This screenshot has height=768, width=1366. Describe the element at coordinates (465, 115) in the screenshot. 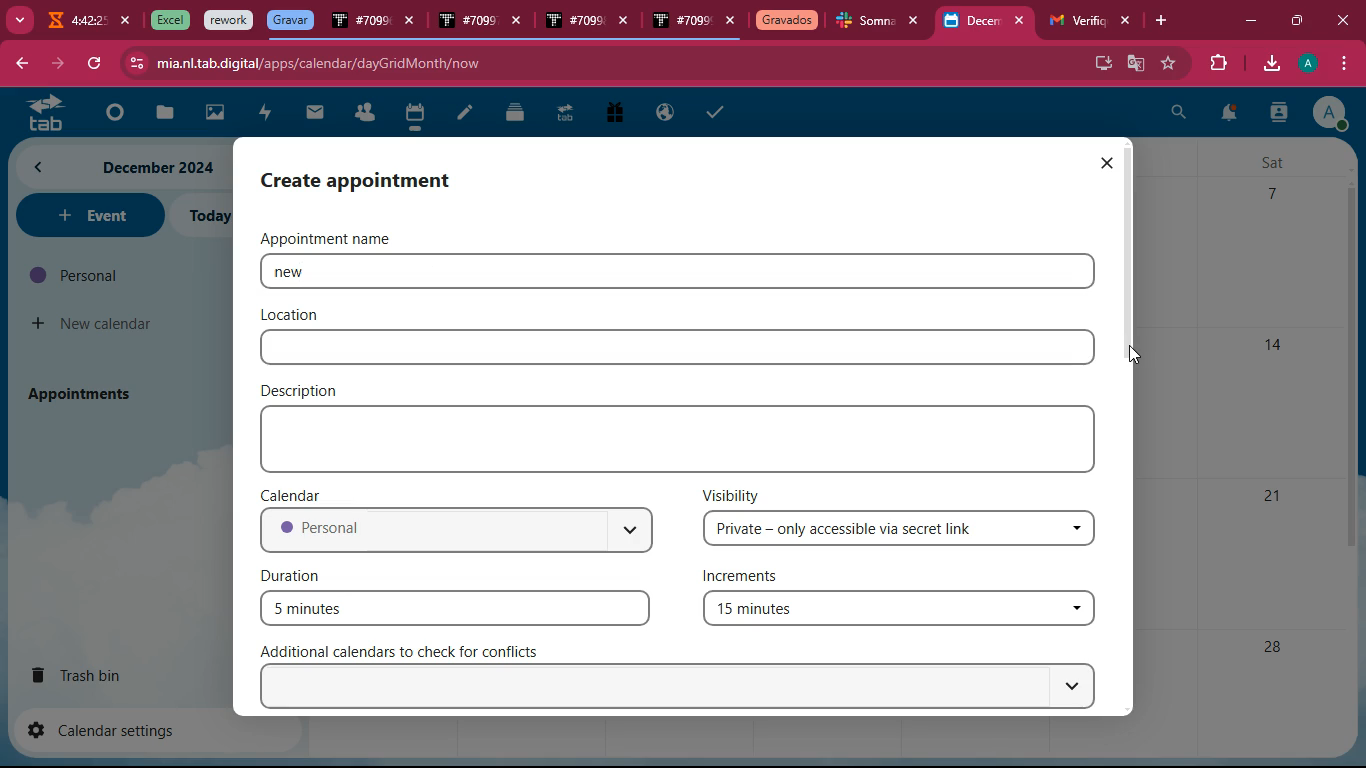

I see `edit` at that location.